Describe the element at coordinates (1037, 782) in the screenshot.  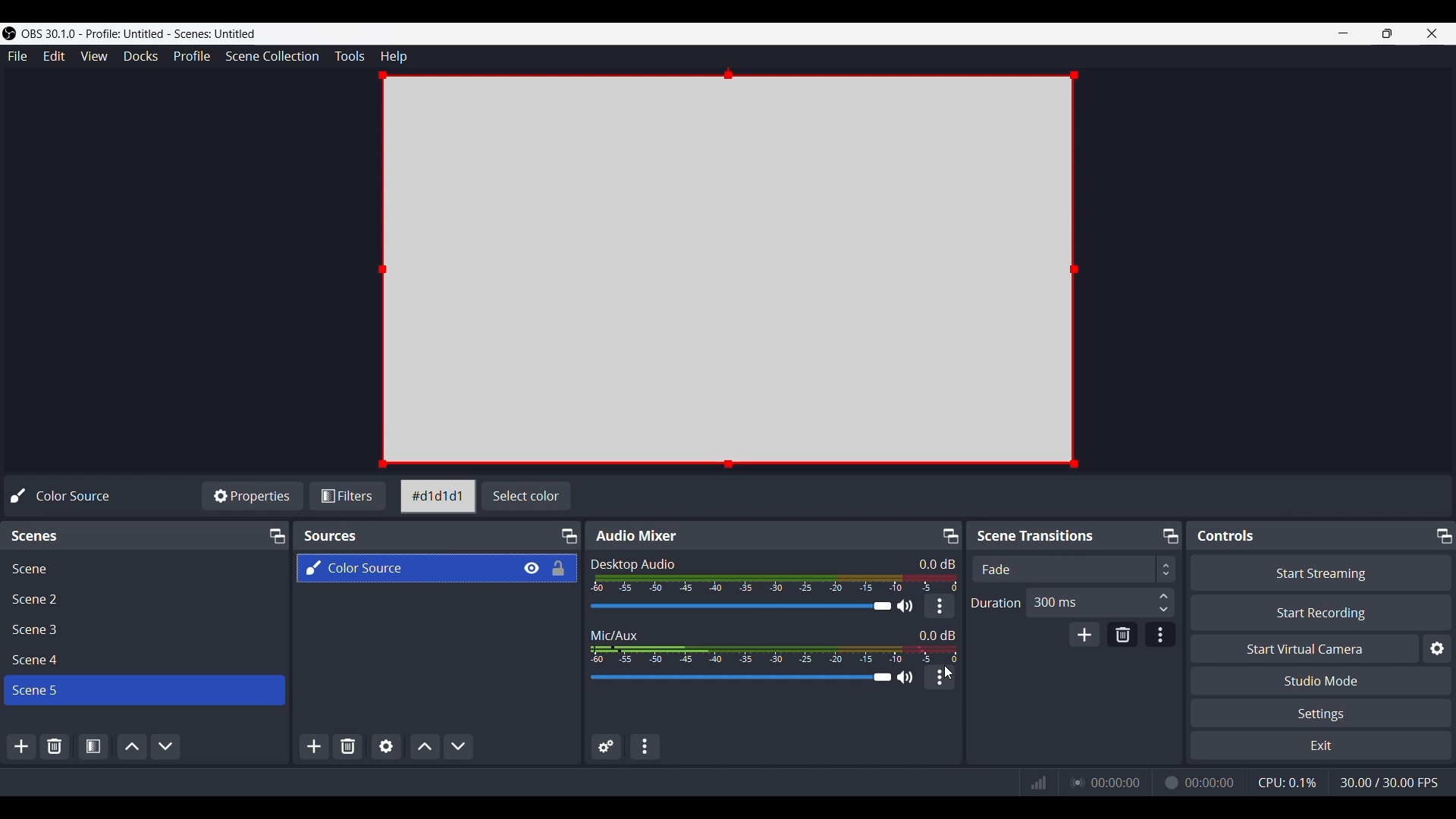
I see `Graph` at that location.